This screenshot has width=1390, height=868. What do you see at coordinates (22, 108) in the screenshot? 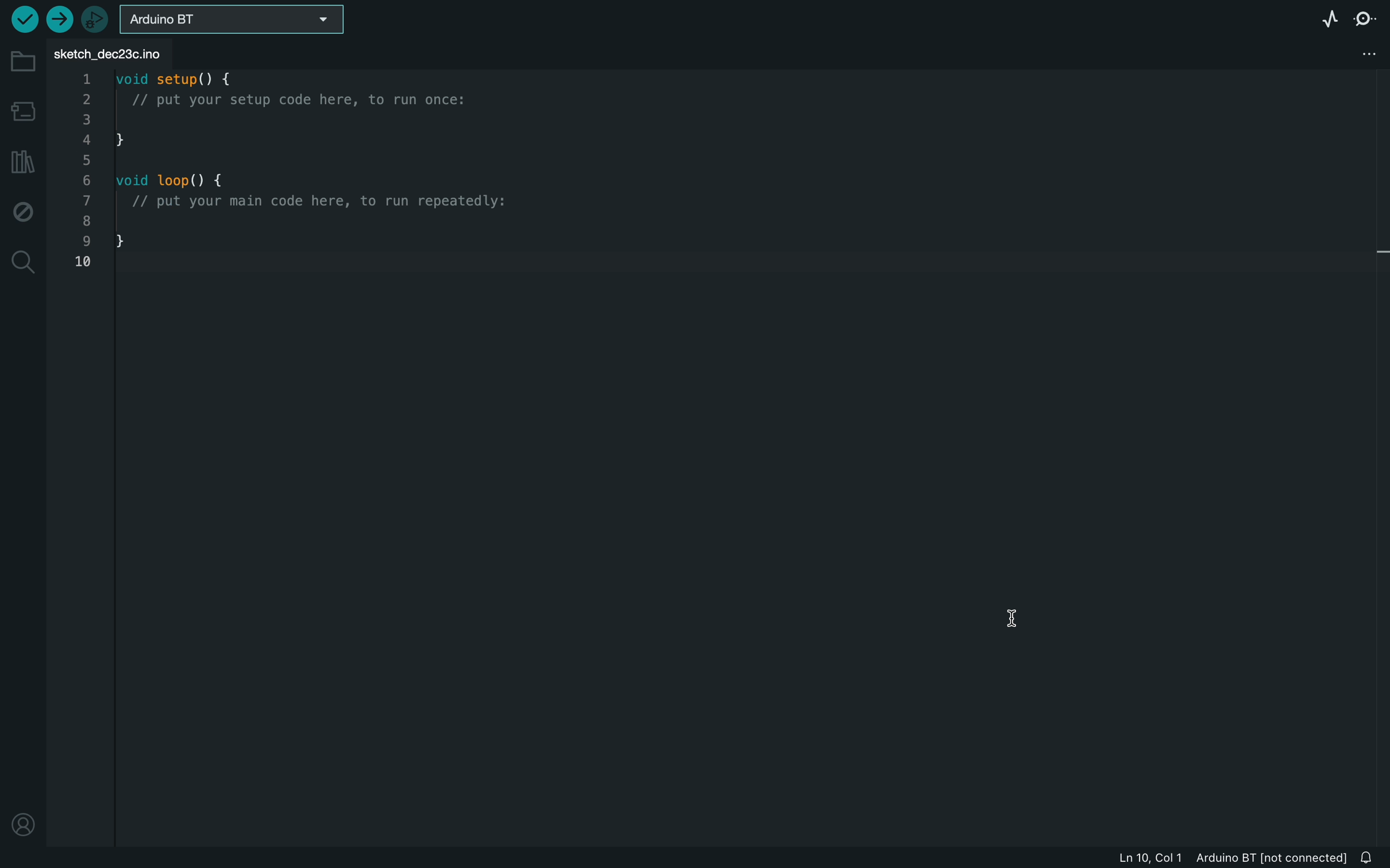
I see `board manager` at bounding box center [22, 108].